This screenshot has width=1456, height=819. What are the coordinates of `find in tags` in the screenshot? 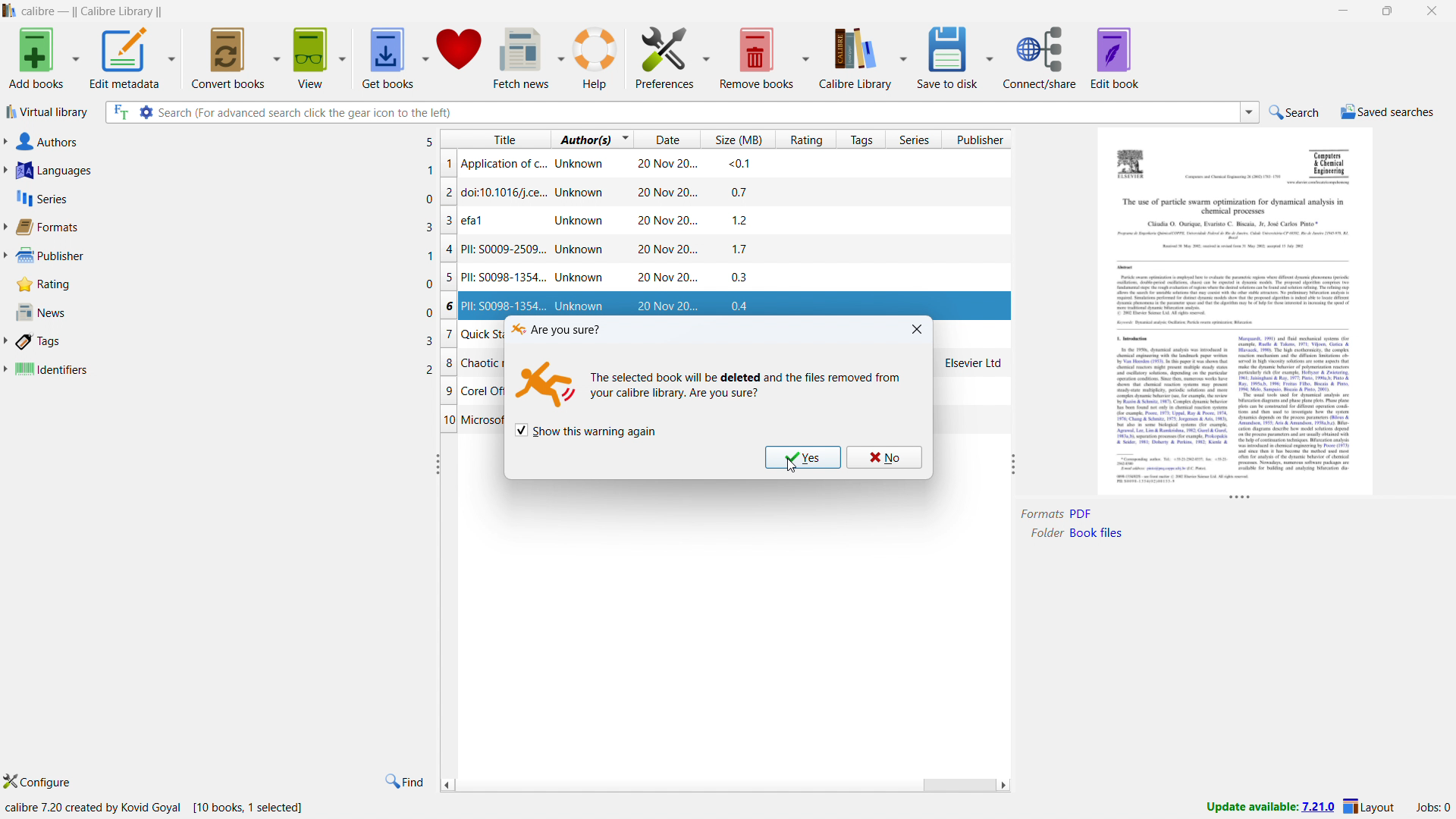 It's located at (404, 782).